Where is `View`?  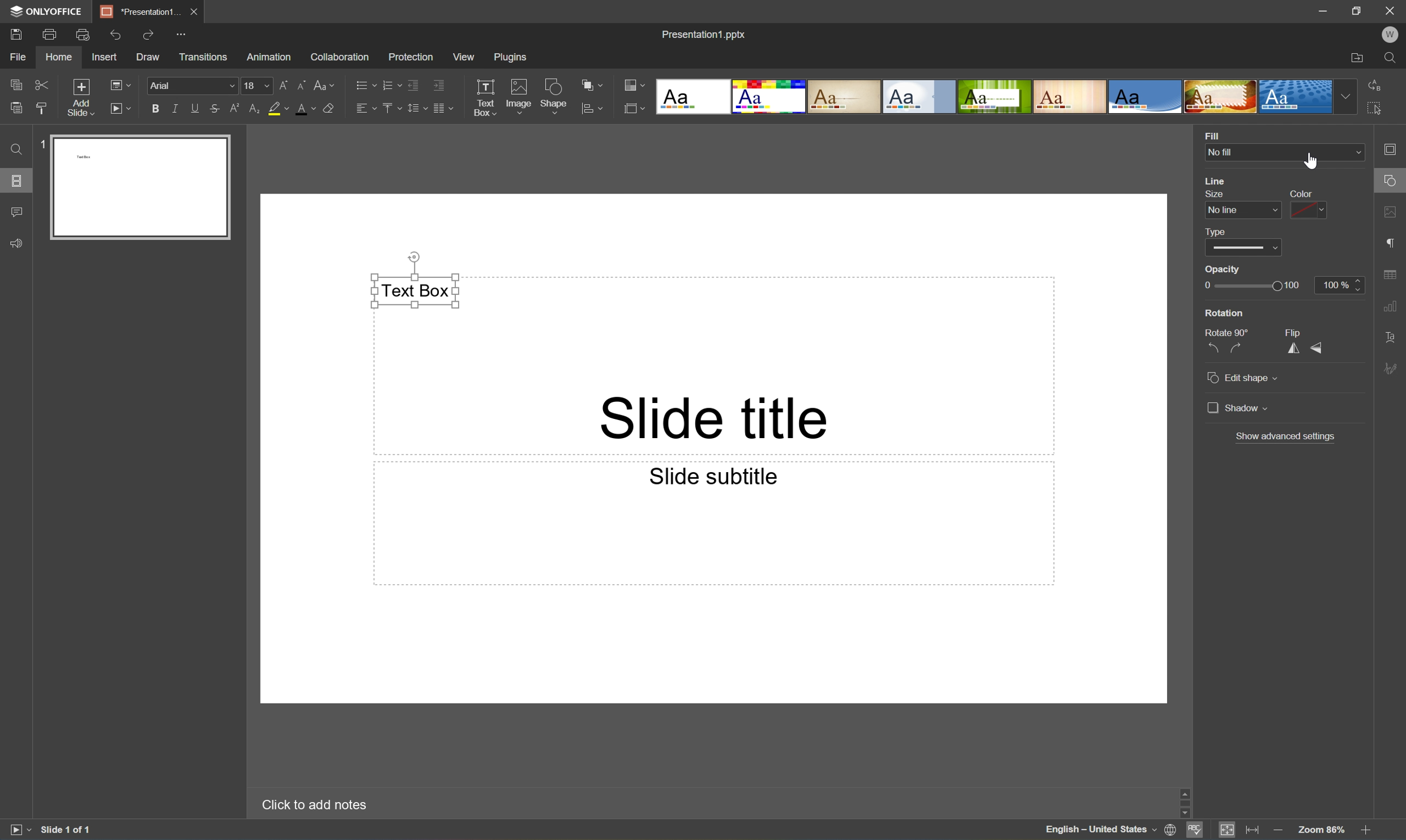
View is located at coordinates (462, 57).